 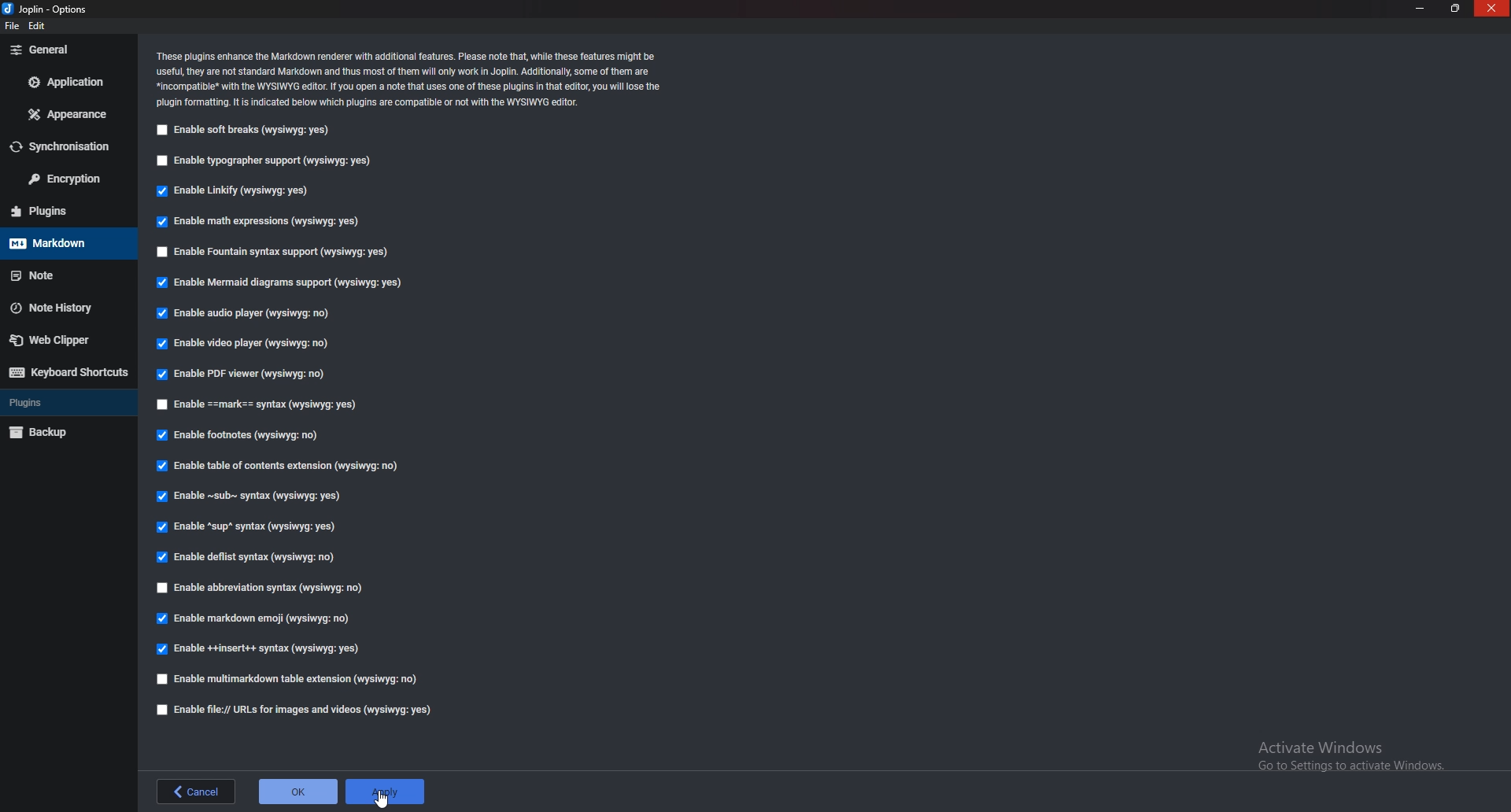 What do you see at coordinates (58, 306) in the screenshot?
I see `Note history` at bounding box center [58, 306].